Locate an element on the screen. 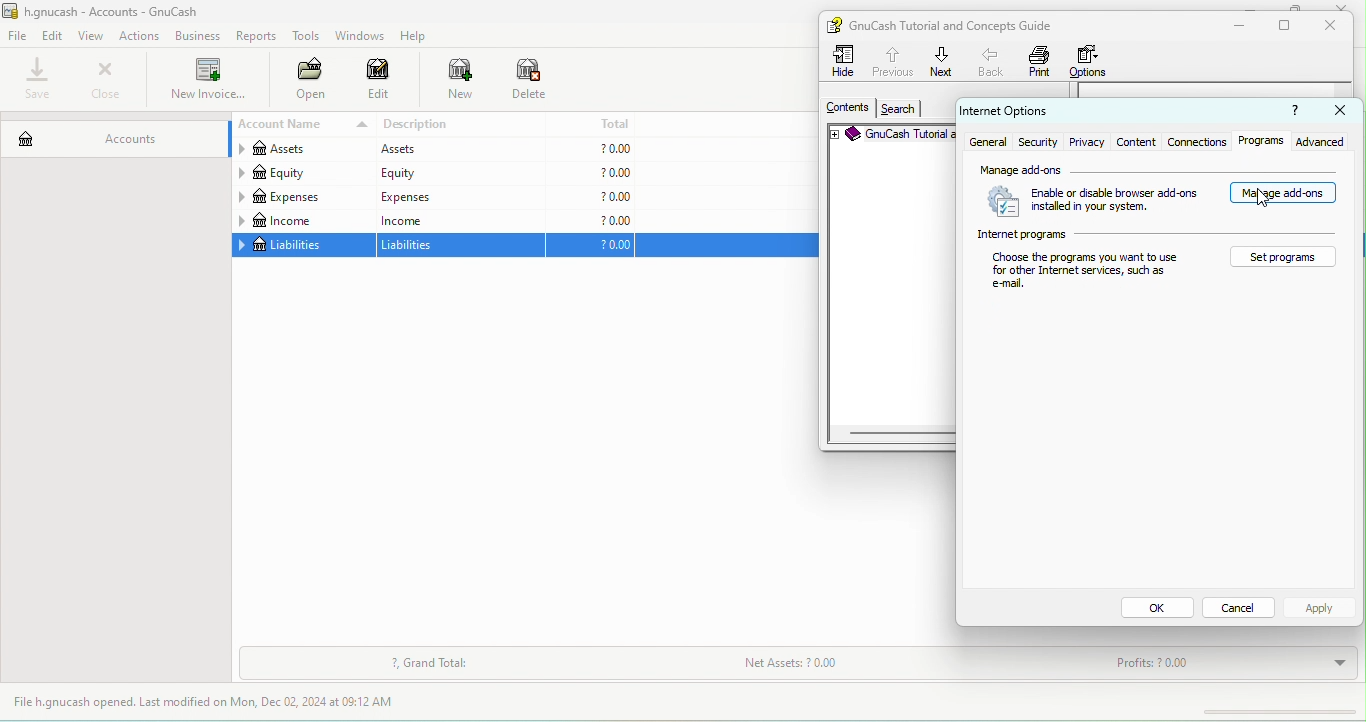  assets is located at coordinates (456, 150).